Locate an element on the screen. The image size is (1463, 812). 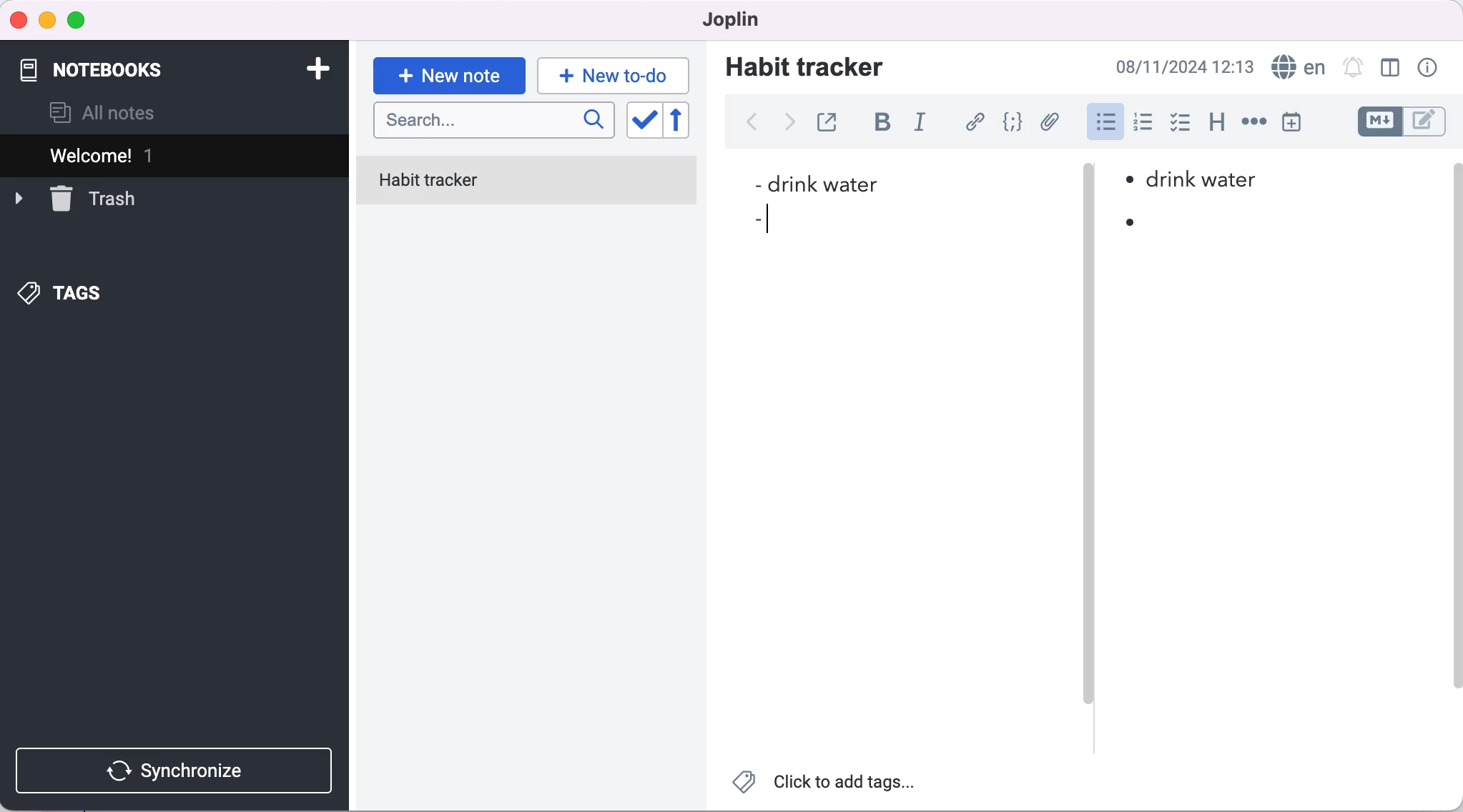
habit tracker is located at coordinates (527, 182).